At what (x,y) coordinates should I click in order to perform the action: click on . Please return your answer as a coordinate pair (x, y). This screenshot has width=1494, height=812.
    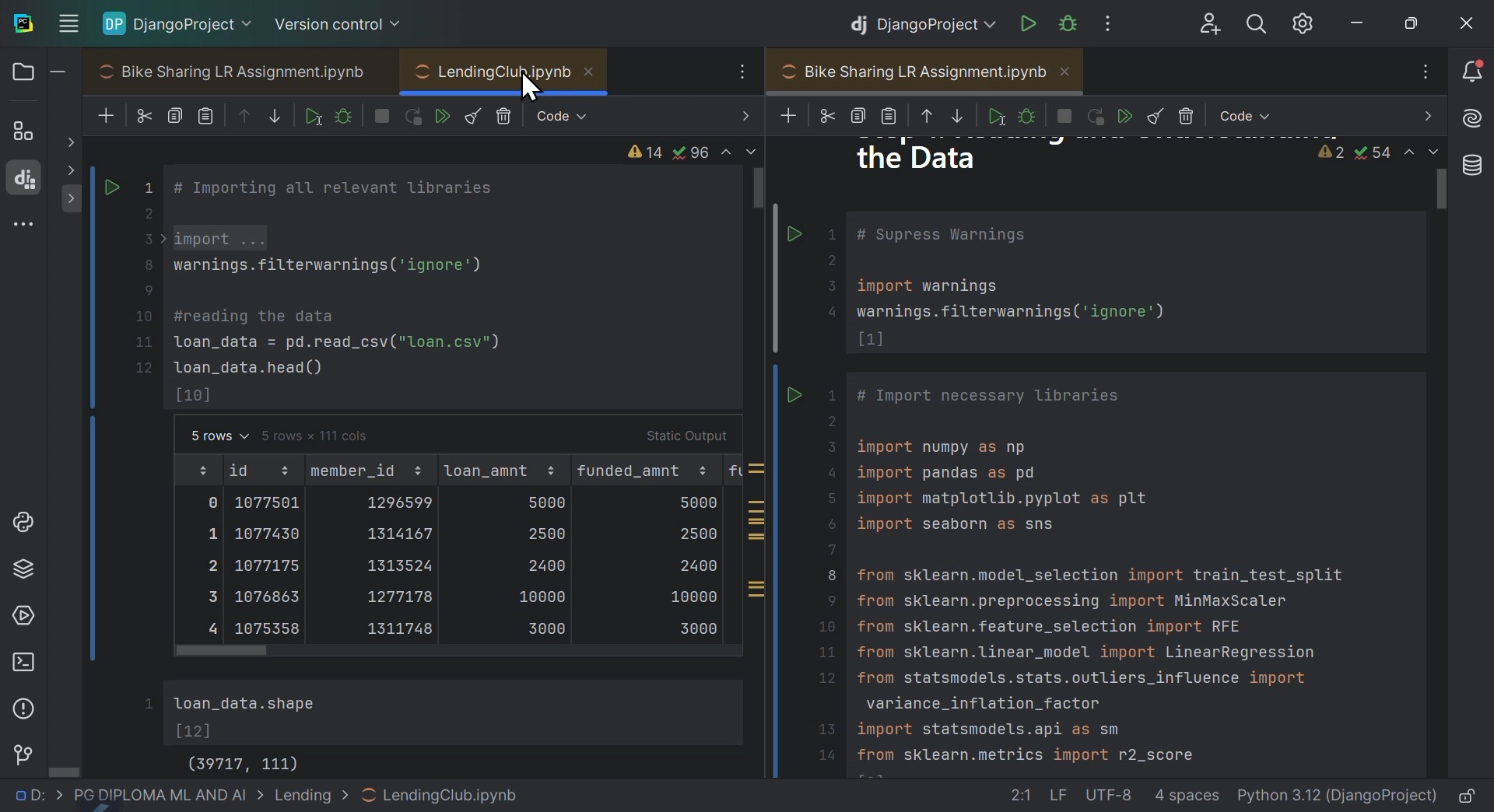
    Looking at the image, I should click on (889, 115).